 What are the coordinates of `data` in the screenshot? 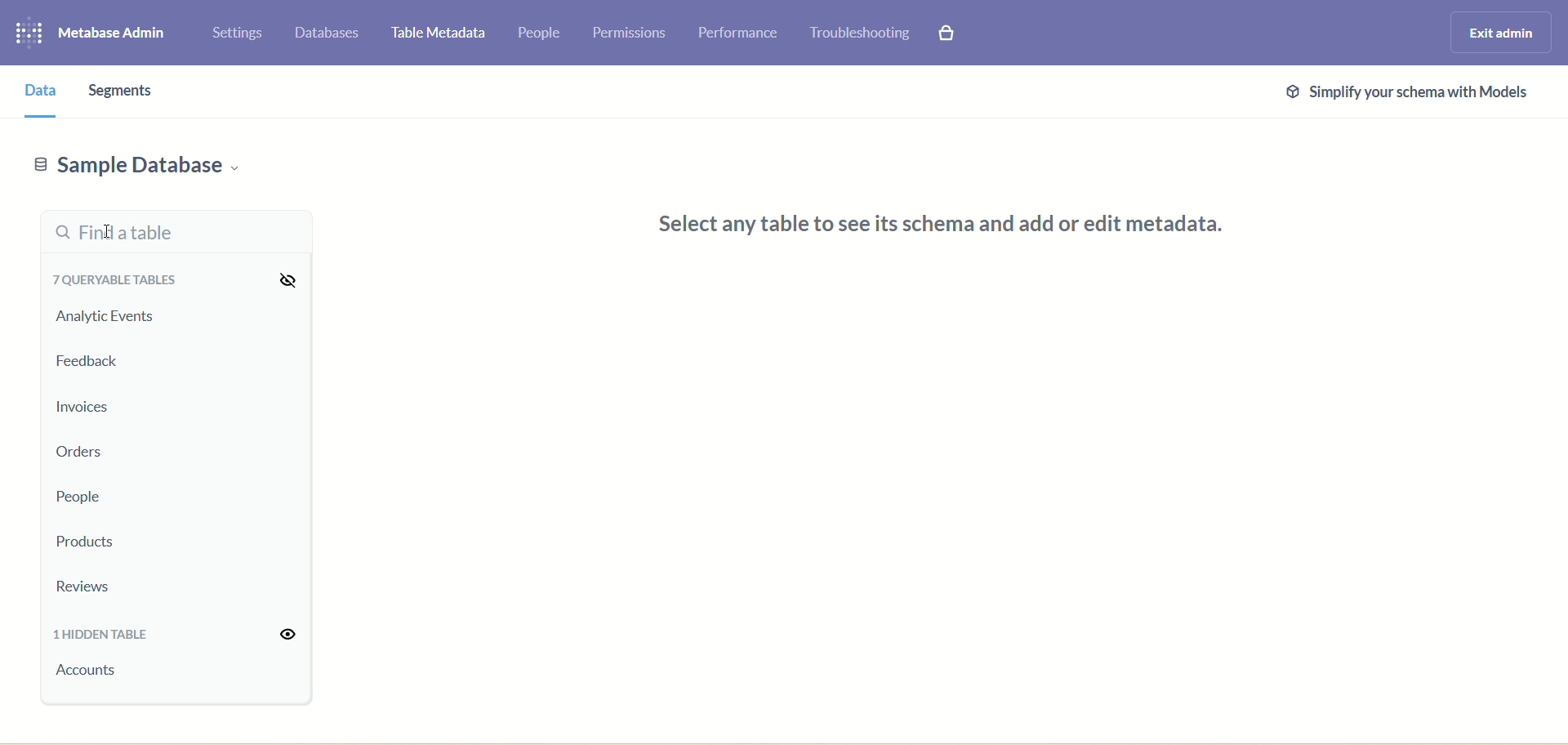 It's located at (37, 99).